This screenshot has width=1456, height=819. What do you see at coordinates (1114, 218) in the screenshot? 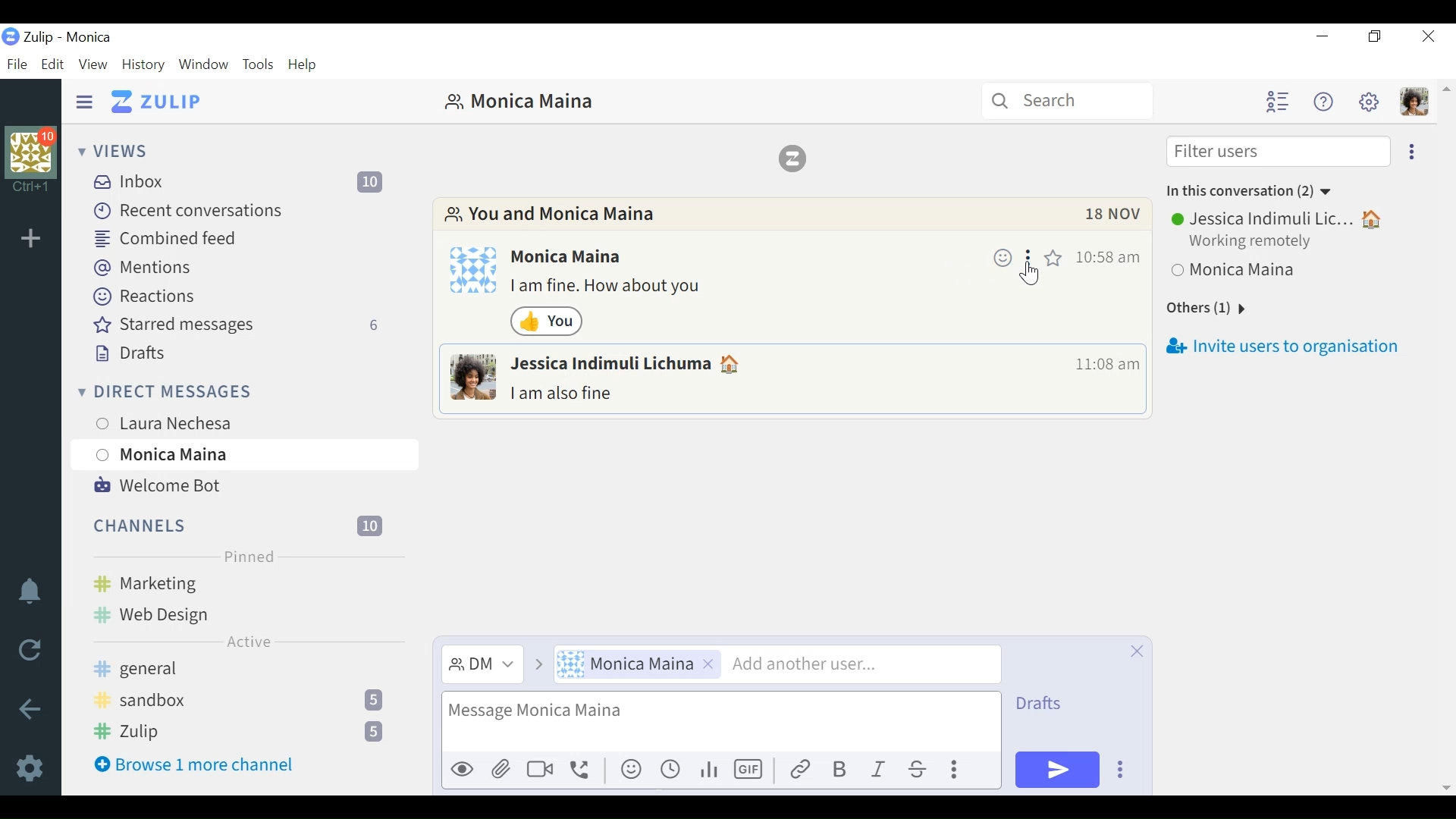
I see `Date` at bounding box center [1114, 218].